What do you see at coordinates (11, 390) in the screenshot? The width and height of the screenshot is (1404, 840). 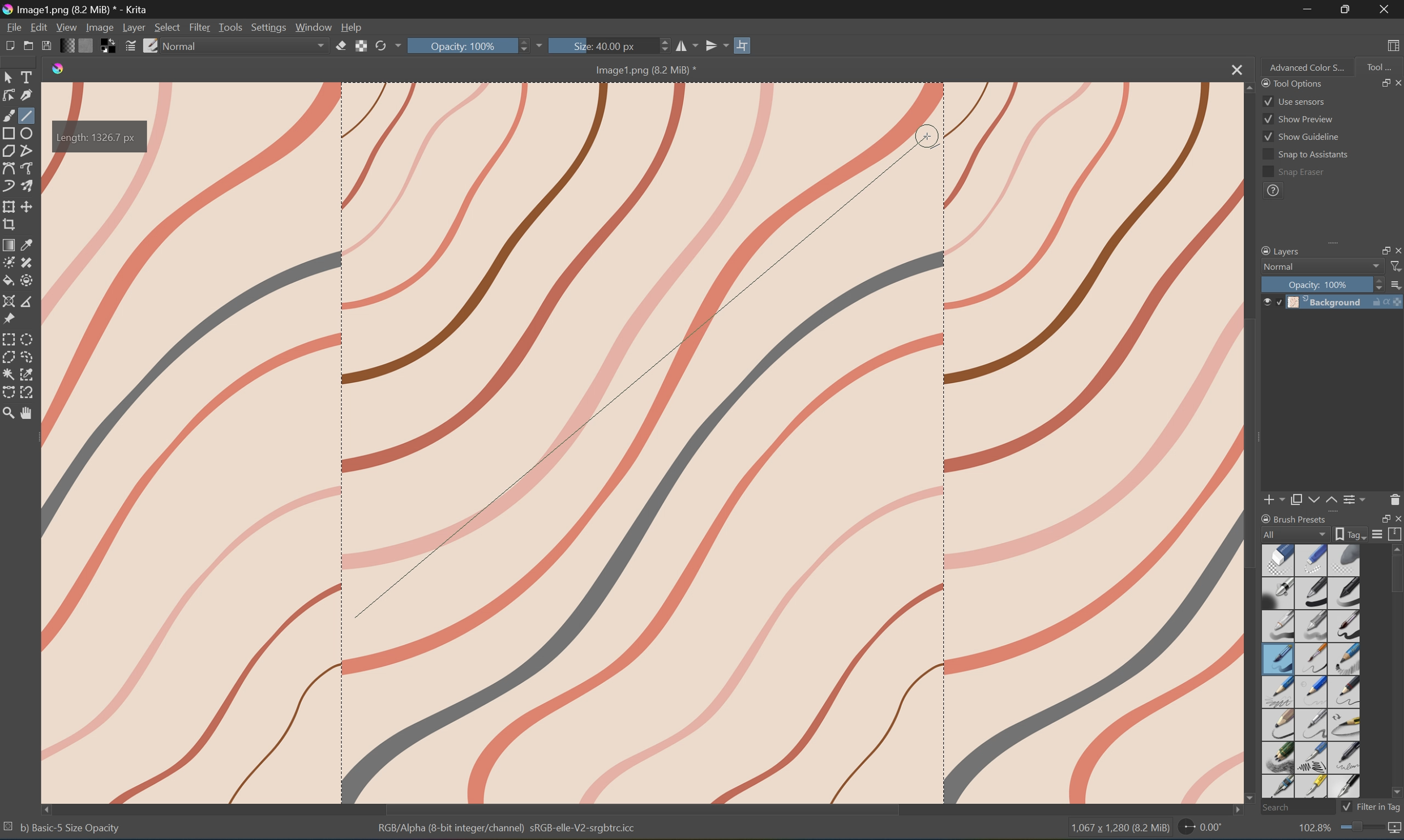 I see `Bezier curve selection tool` at bounding box center [11, 390].